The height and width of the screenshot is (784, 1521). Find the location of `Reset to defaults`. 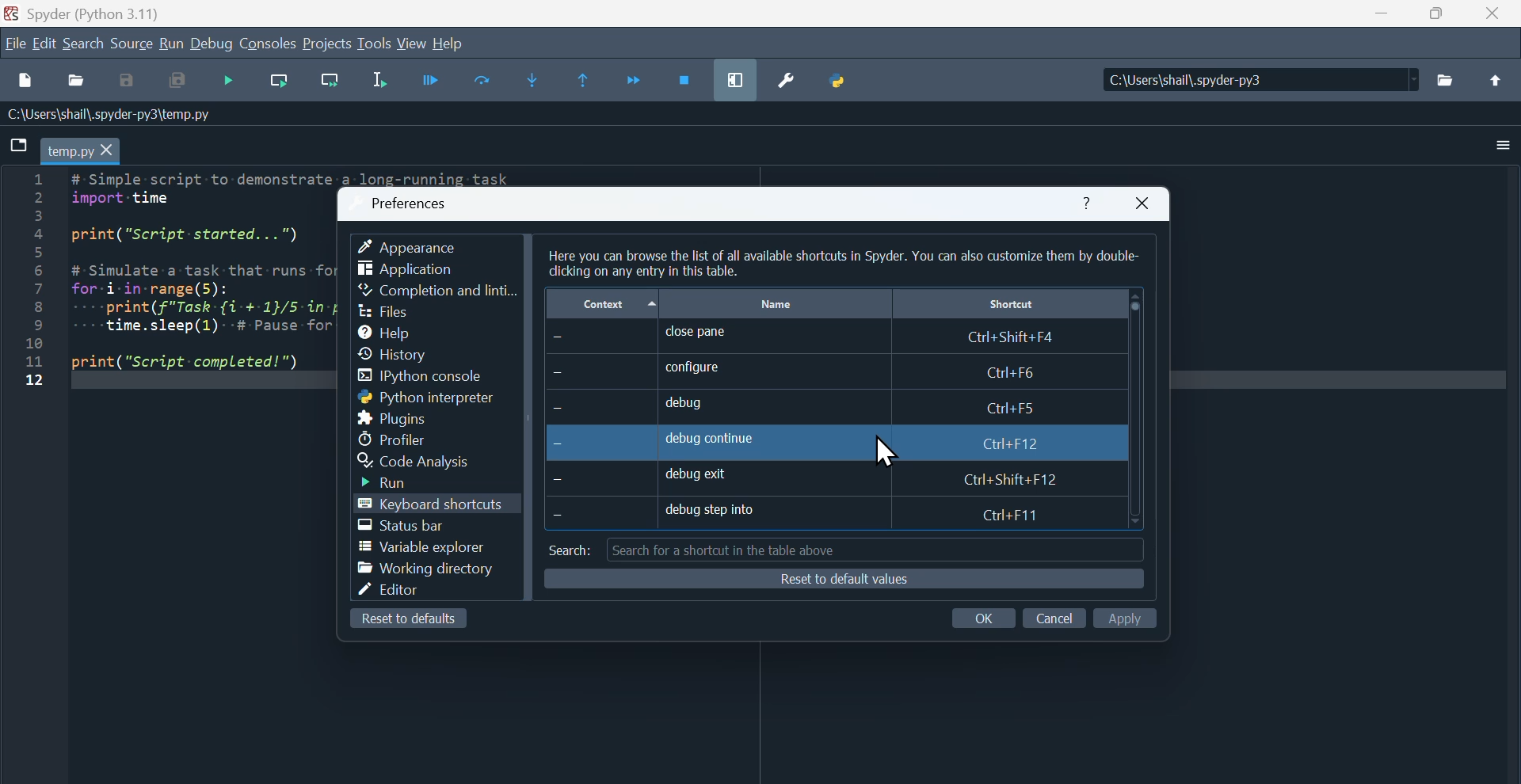

Reset to defaults is located at coordinates (843, 581).